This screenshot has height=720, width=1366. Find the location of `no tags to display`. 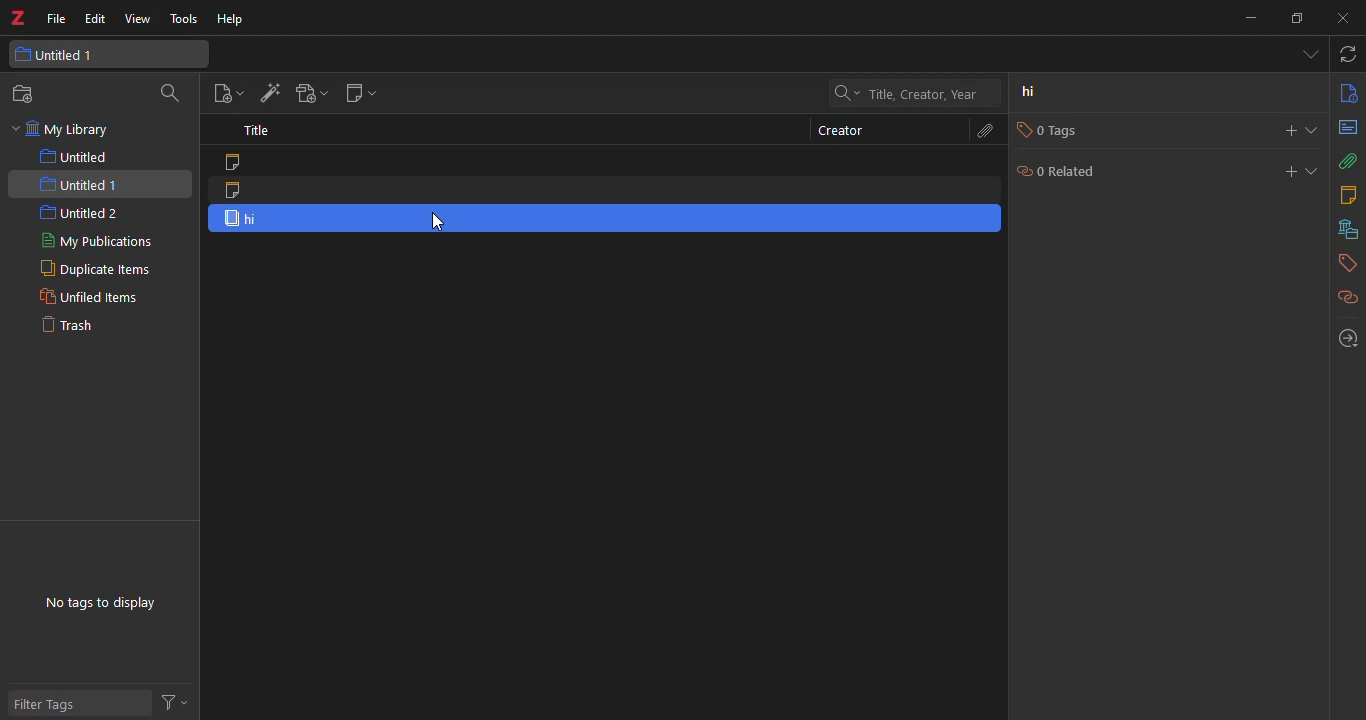

no tags to display is located at coordinates (100, 602).